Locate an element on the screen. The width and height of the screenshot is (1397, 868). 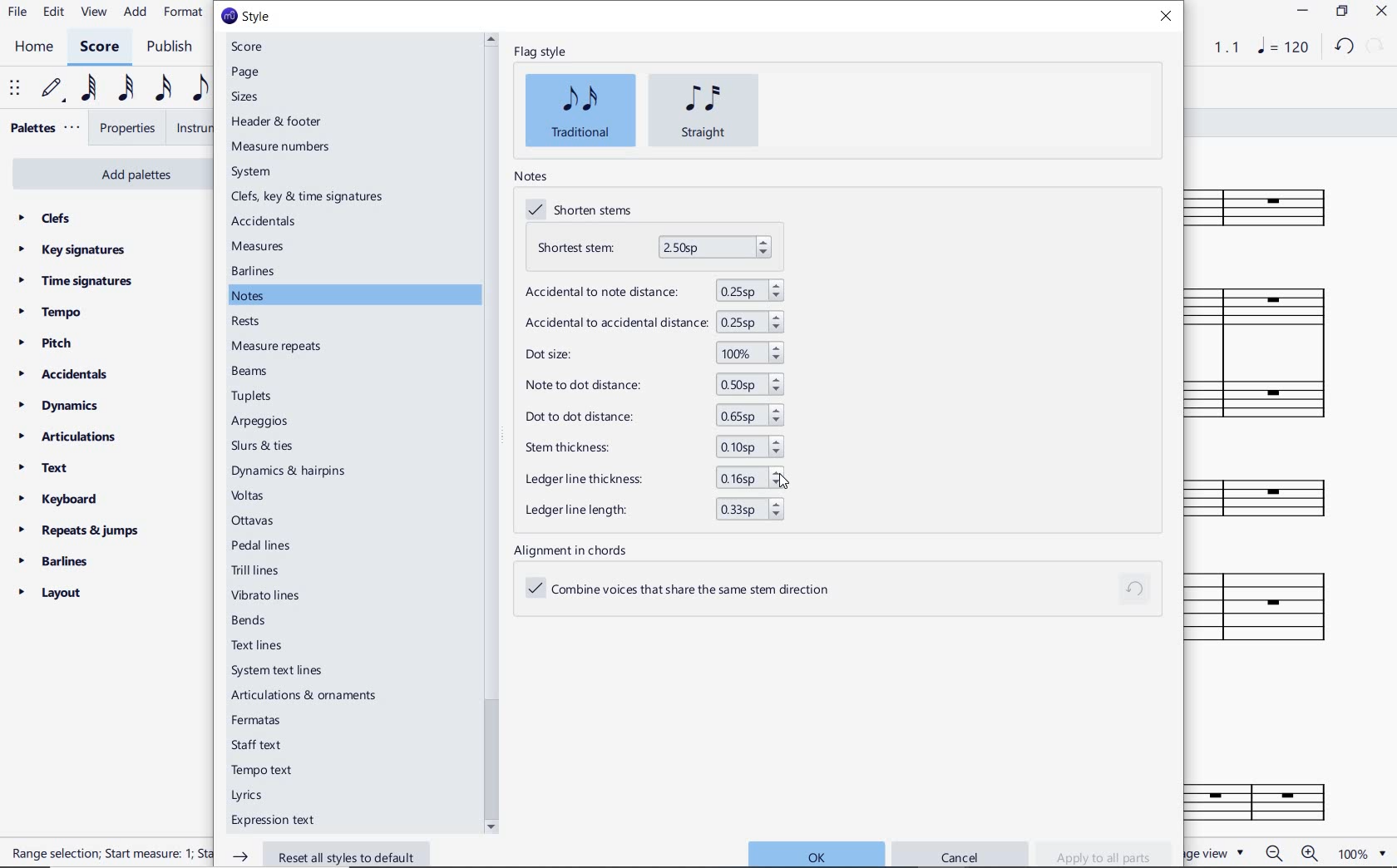
Instrument: Electric guitar is located at coordinates (1276, 606).